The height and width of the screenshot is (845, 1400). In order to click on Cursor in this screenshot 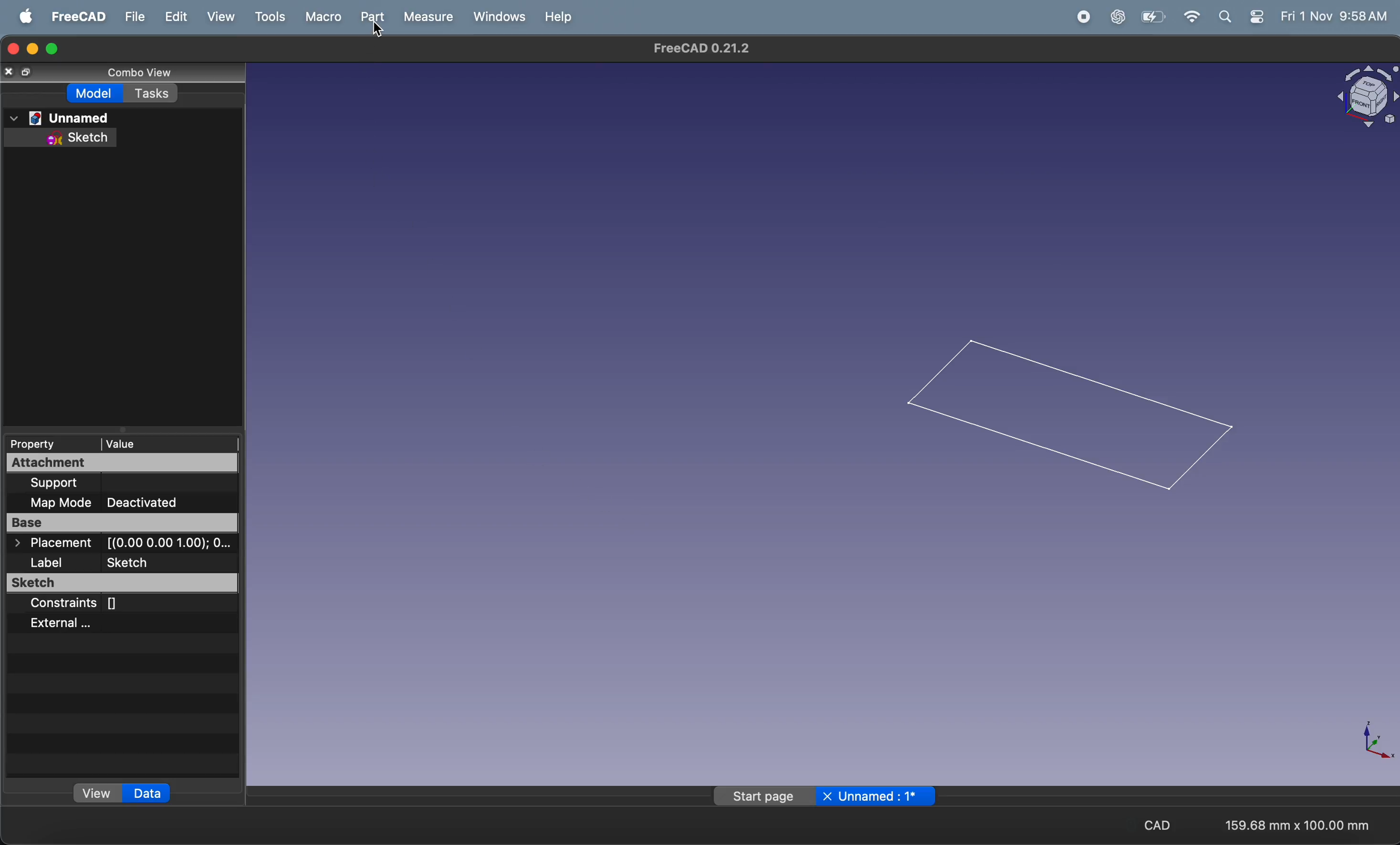, I will do `click(377, 33)`.